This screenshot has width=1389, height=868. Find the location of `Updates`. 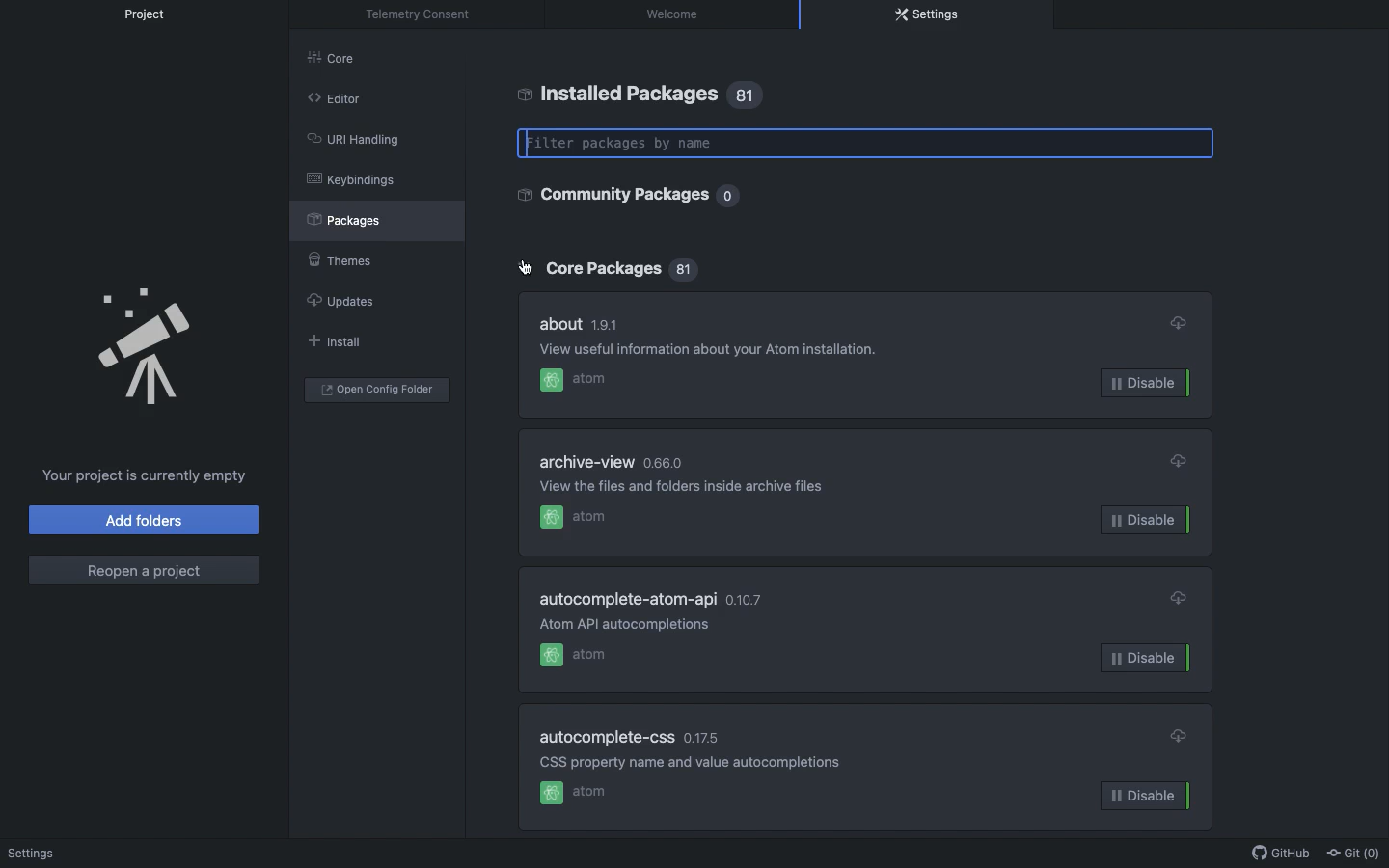

Updates is located at coordinates (339, 301).